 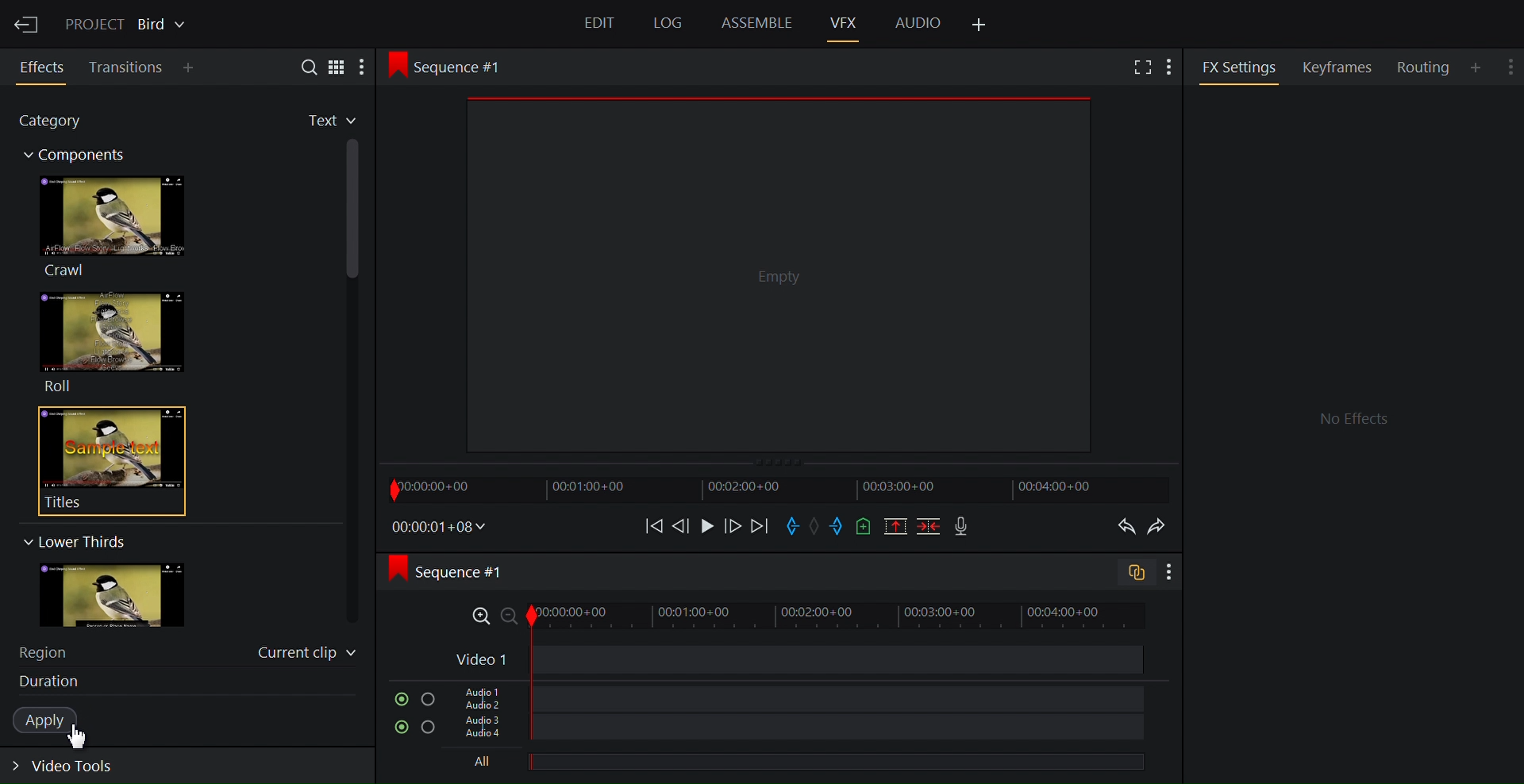 I want to click on Record voice over, so click(x=963, y=527).